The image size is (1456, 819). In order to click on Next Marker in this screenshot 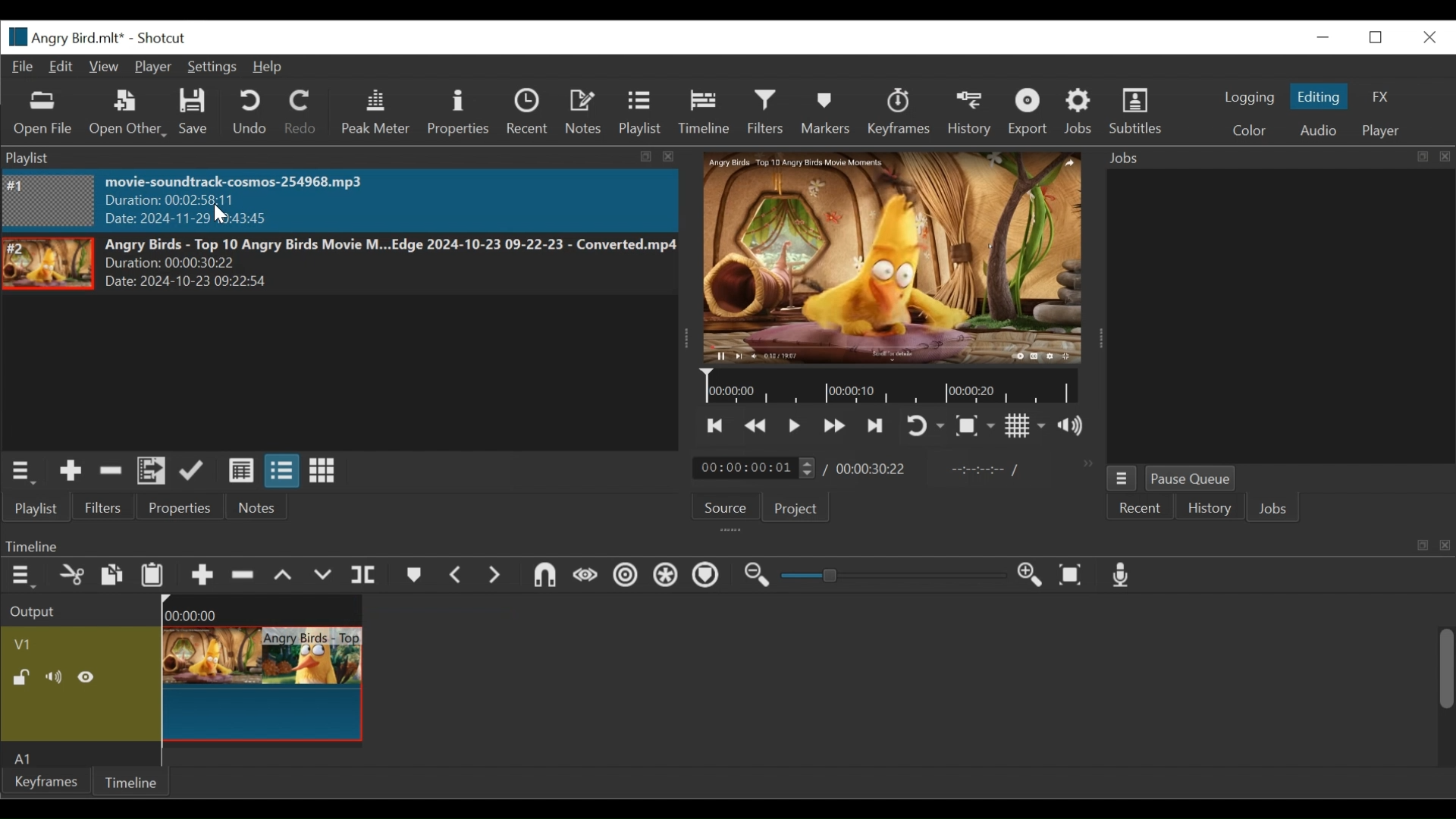, I will do `click(492, 576)`.